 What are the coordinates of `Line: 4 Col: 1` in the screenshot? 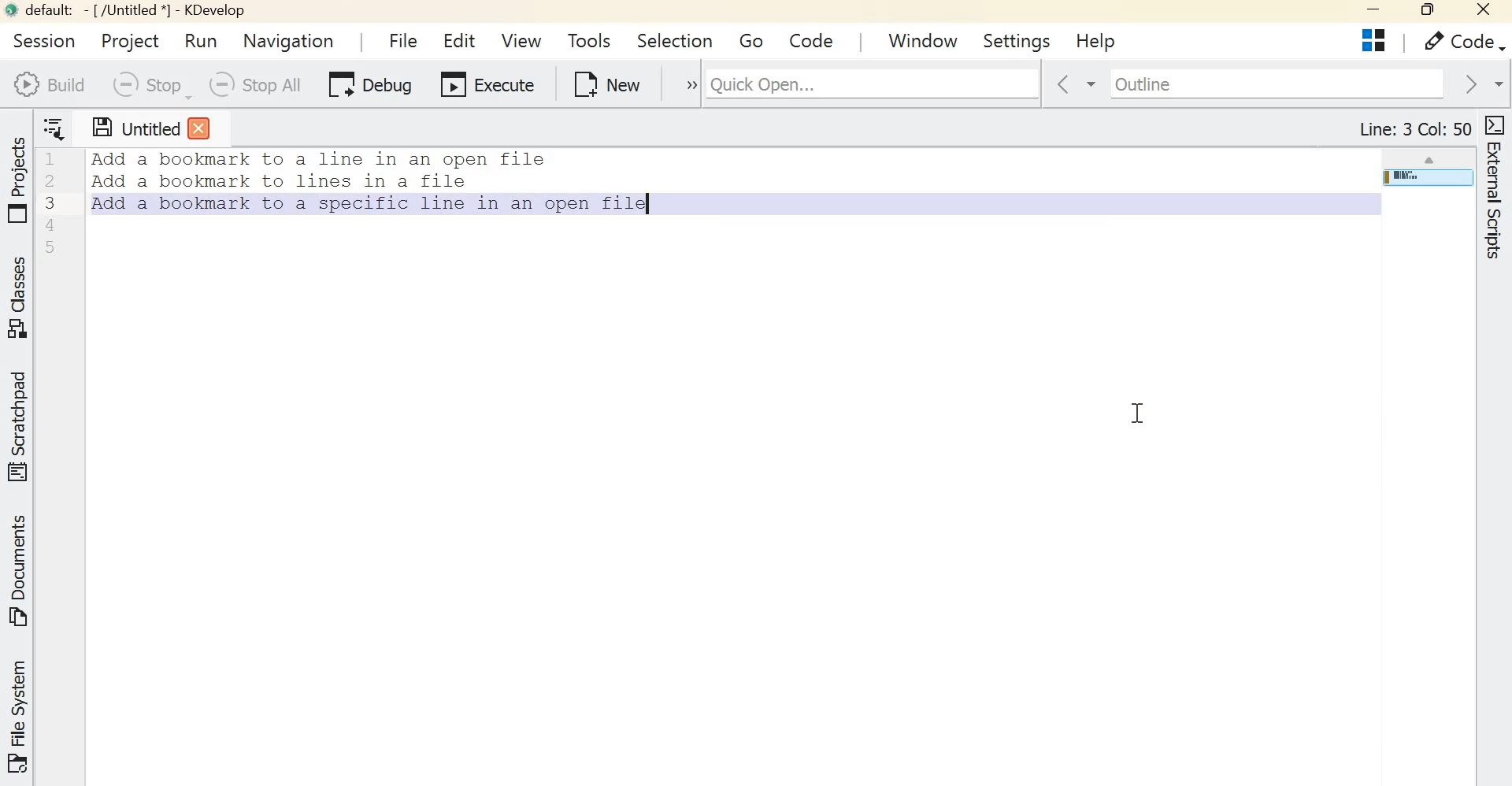 It's located at (1418, 130).